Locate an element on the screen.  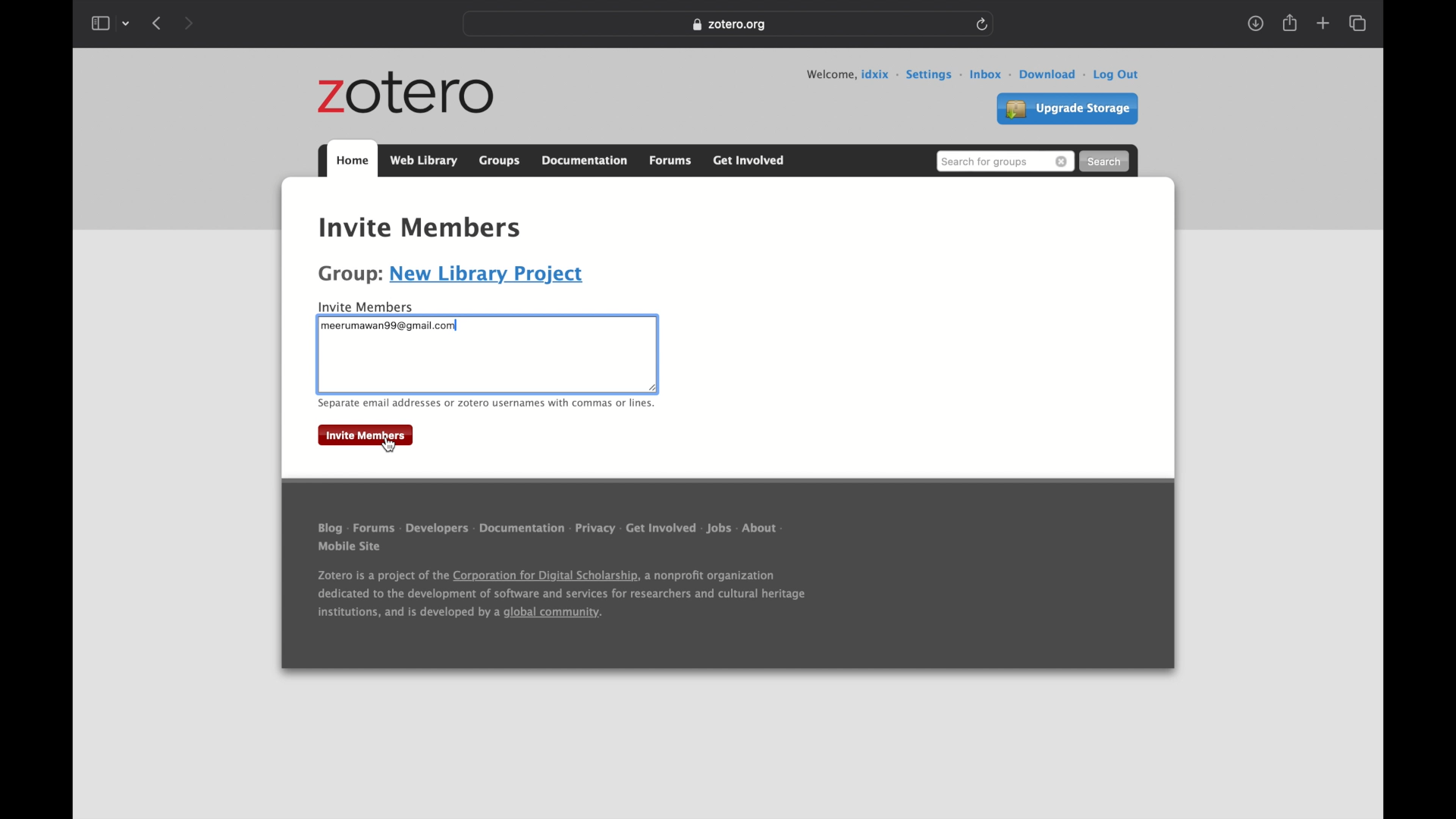
show tab overview is located at coordinates (1357, 24).